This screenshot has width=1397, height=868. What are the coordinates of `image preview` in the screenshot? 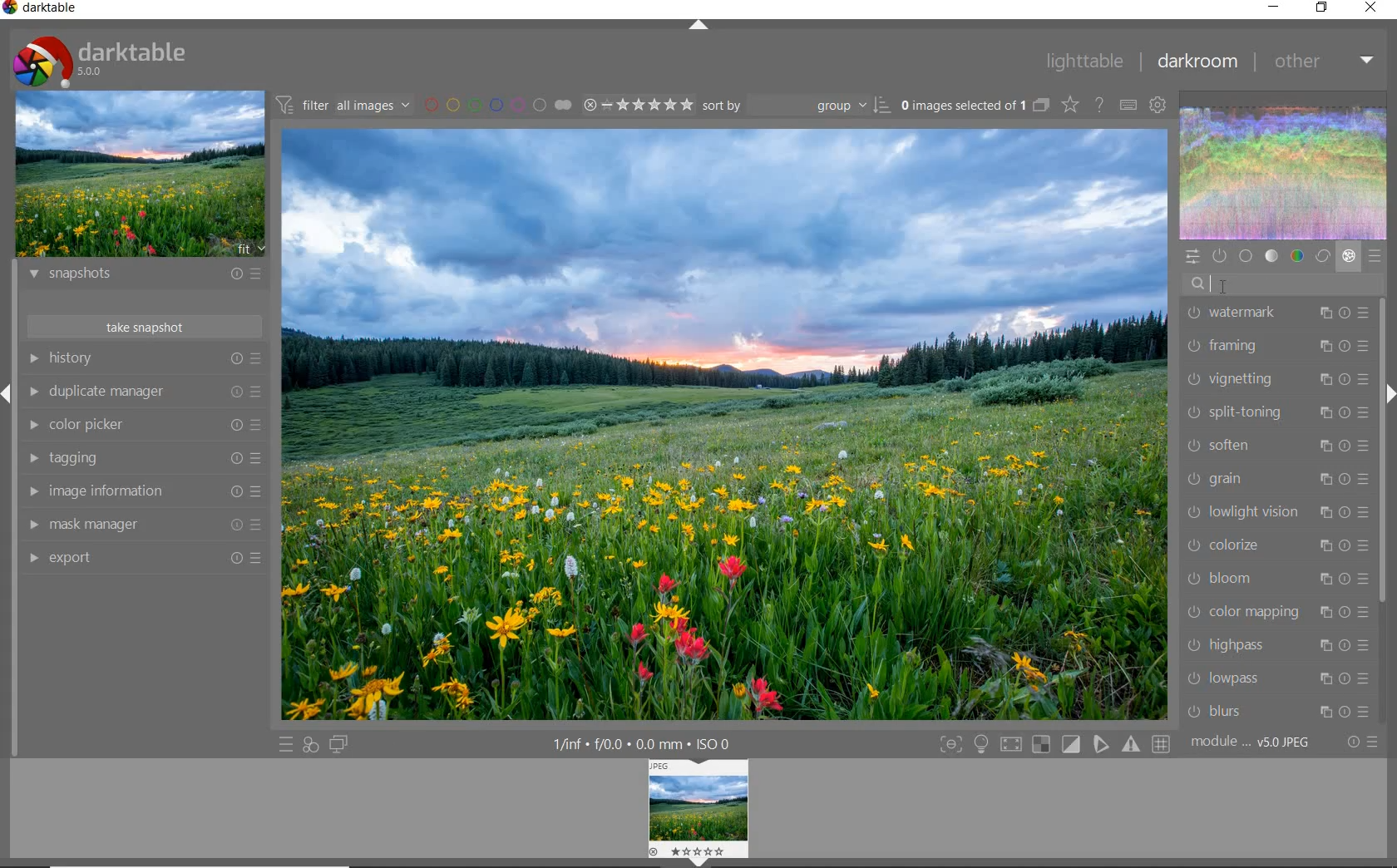 It's located at (141, 175).